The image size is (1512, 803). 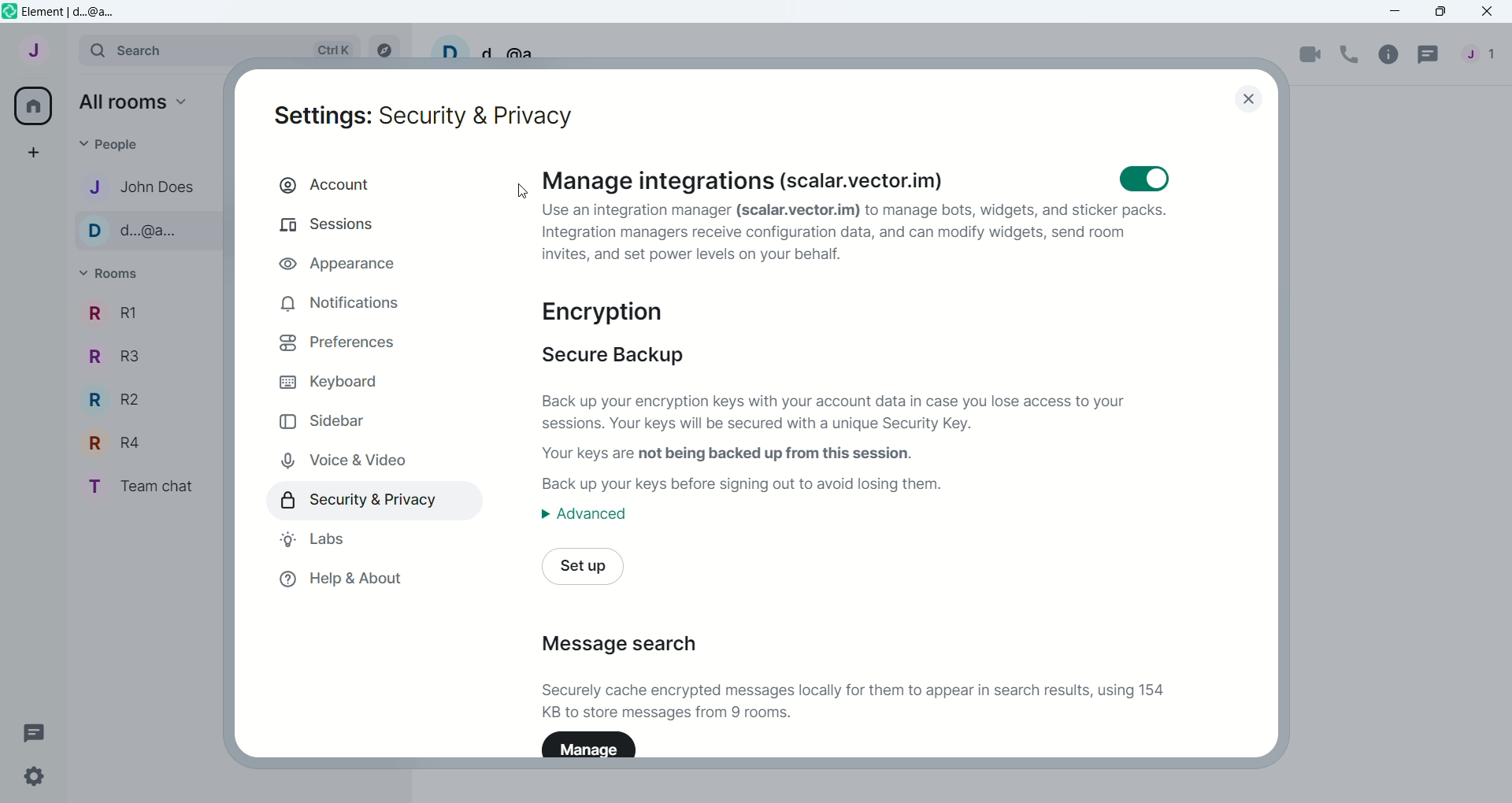 I want to click on close, so click(x=1489, y=13).